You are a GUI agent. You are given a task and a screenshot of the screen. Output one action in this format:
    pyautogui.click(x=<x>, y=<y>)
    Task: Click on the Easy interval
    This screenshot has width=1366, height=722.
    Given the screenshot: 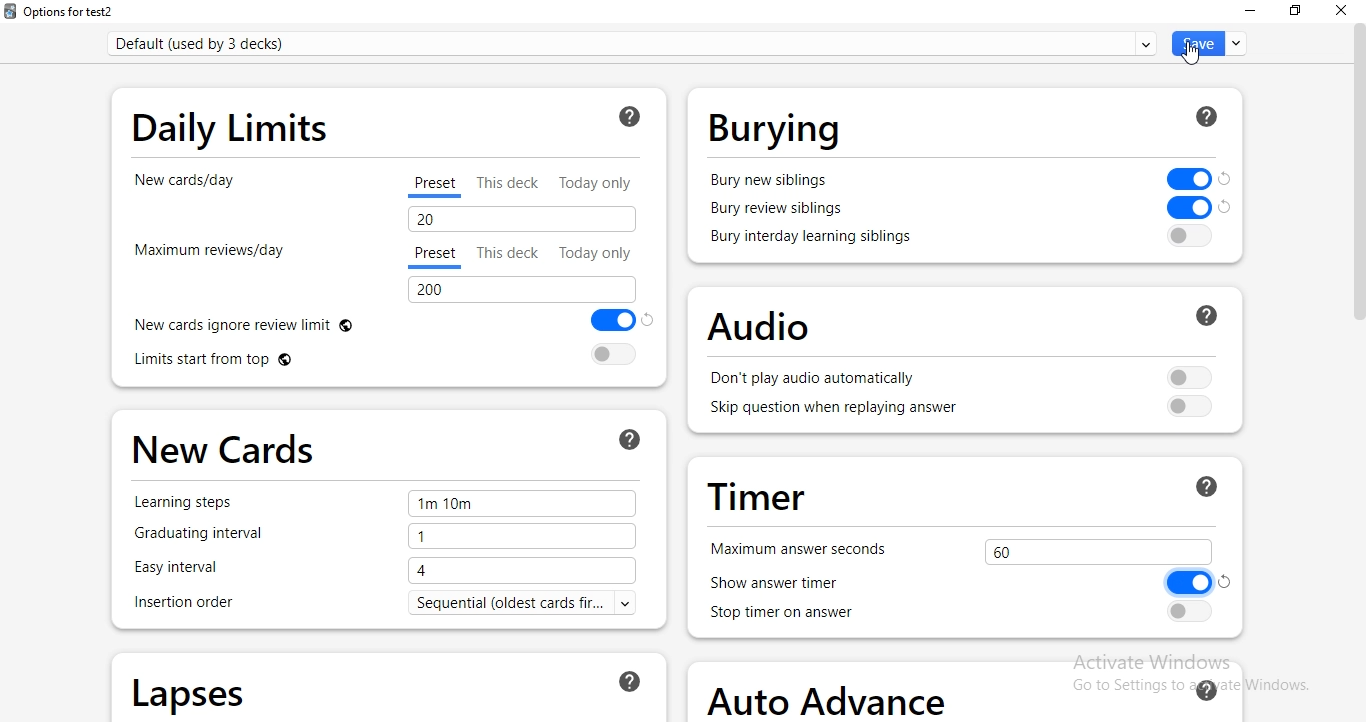 What is the action you would take?
    pyautogui.click(x=186, y=569)
    